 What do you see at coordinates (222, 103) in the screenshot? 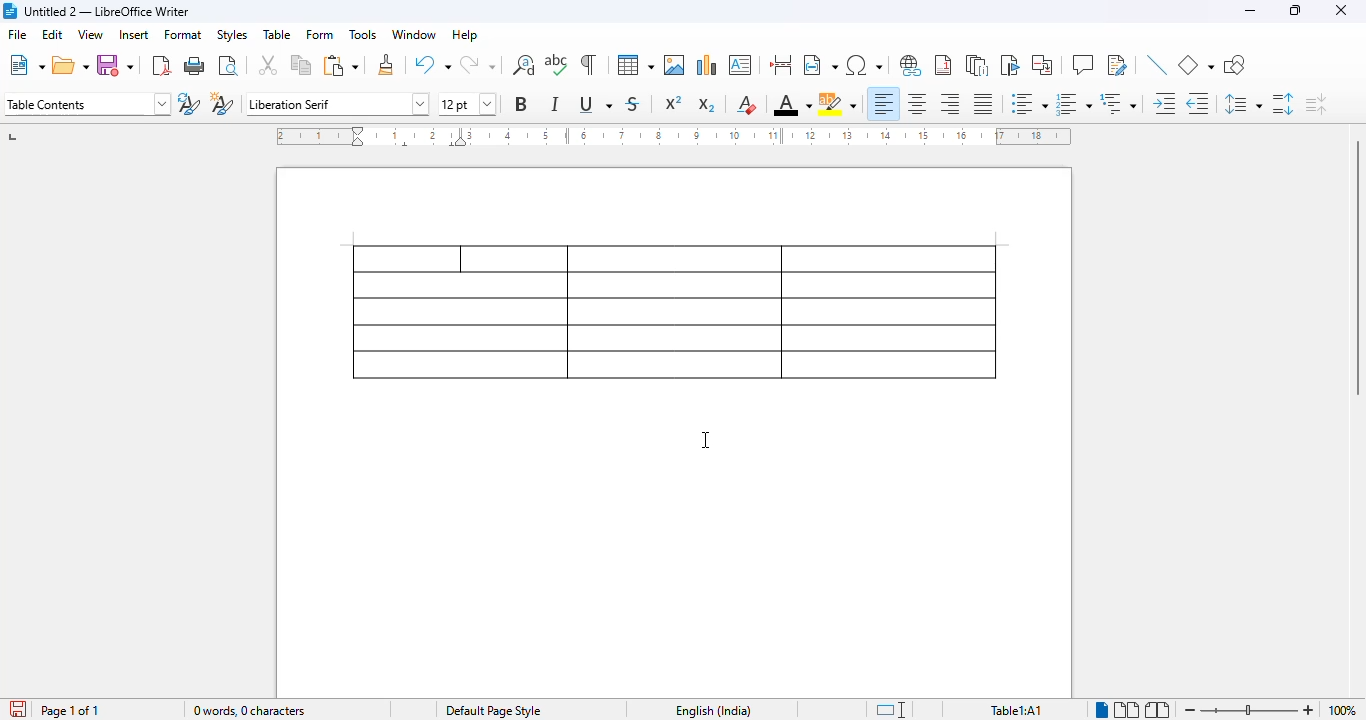
I see `new style from selection` at bounding box center [222, 103].